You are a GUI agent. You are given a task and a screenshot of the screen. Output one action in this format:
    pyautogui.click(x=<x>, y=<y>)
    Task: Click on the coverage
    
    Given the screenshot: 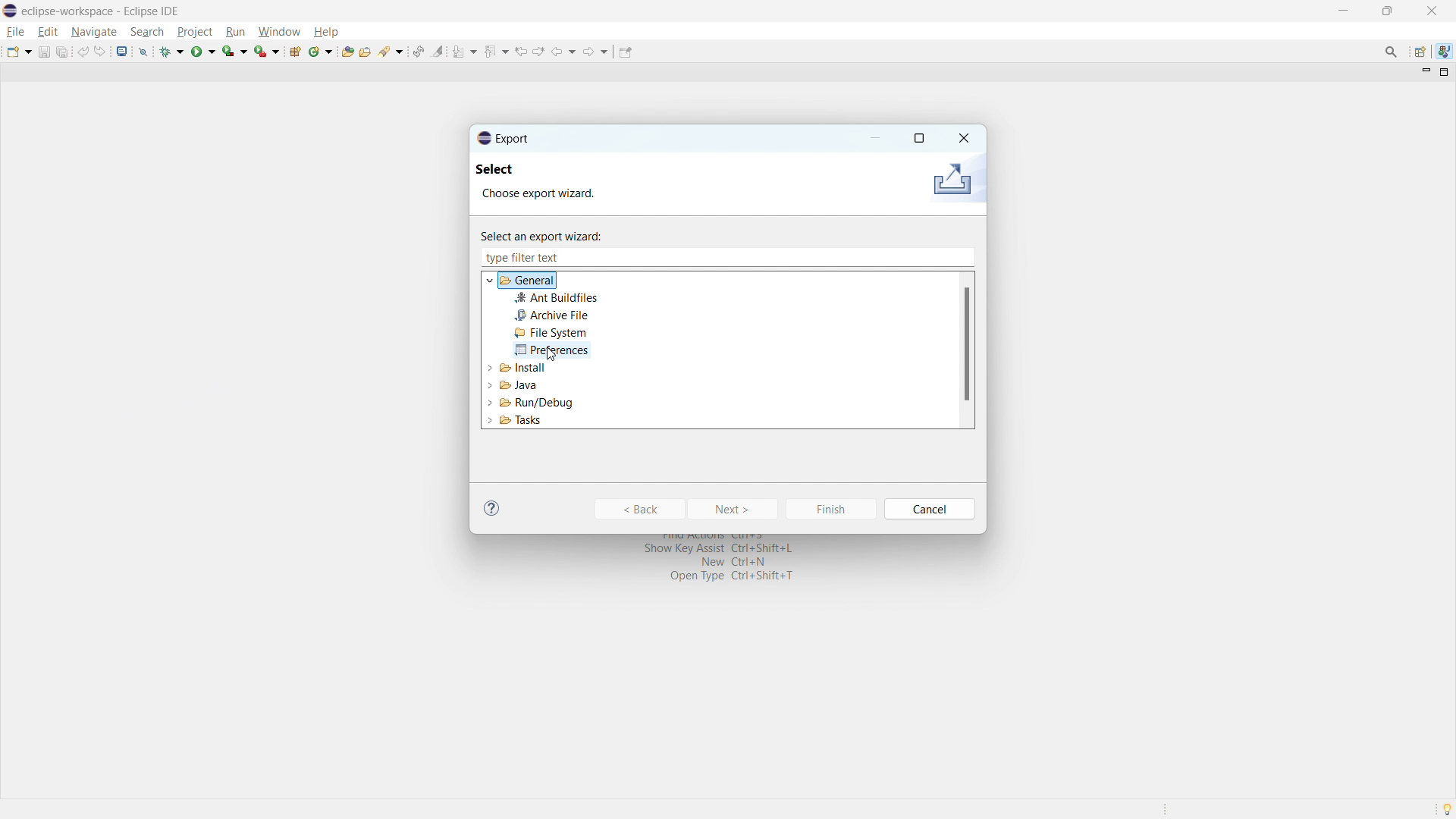 What is the action you would take?
    pyautogui.click(x=234, y=51)
    